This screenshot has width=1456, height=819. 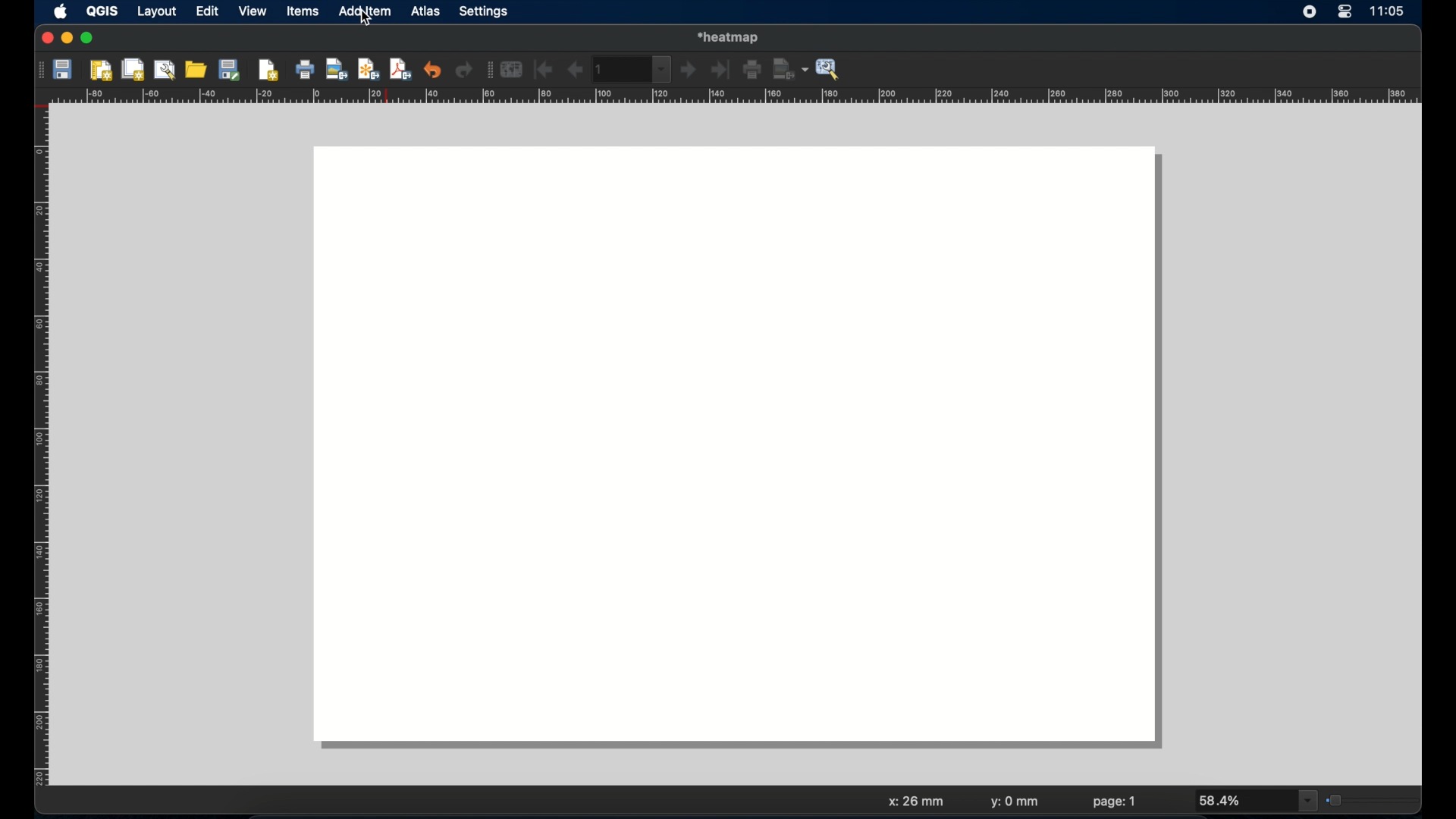 What do you see at coordinates (156, 13) in the screenshot?
I see `layout` at bounding box center [156, 13].